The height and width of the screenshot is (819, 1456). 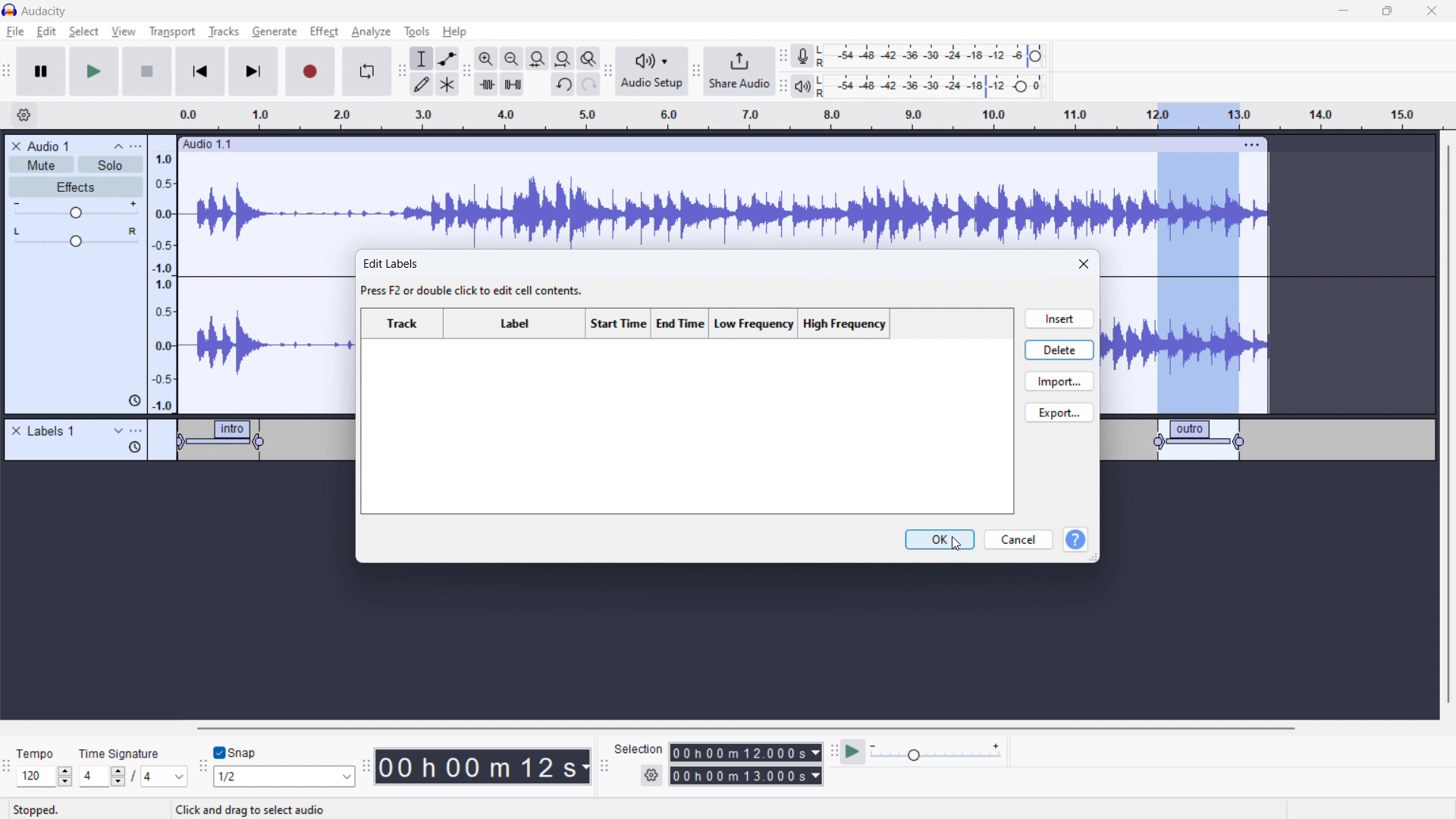 I want to click on time toolbar, so click(x=366, y=768).